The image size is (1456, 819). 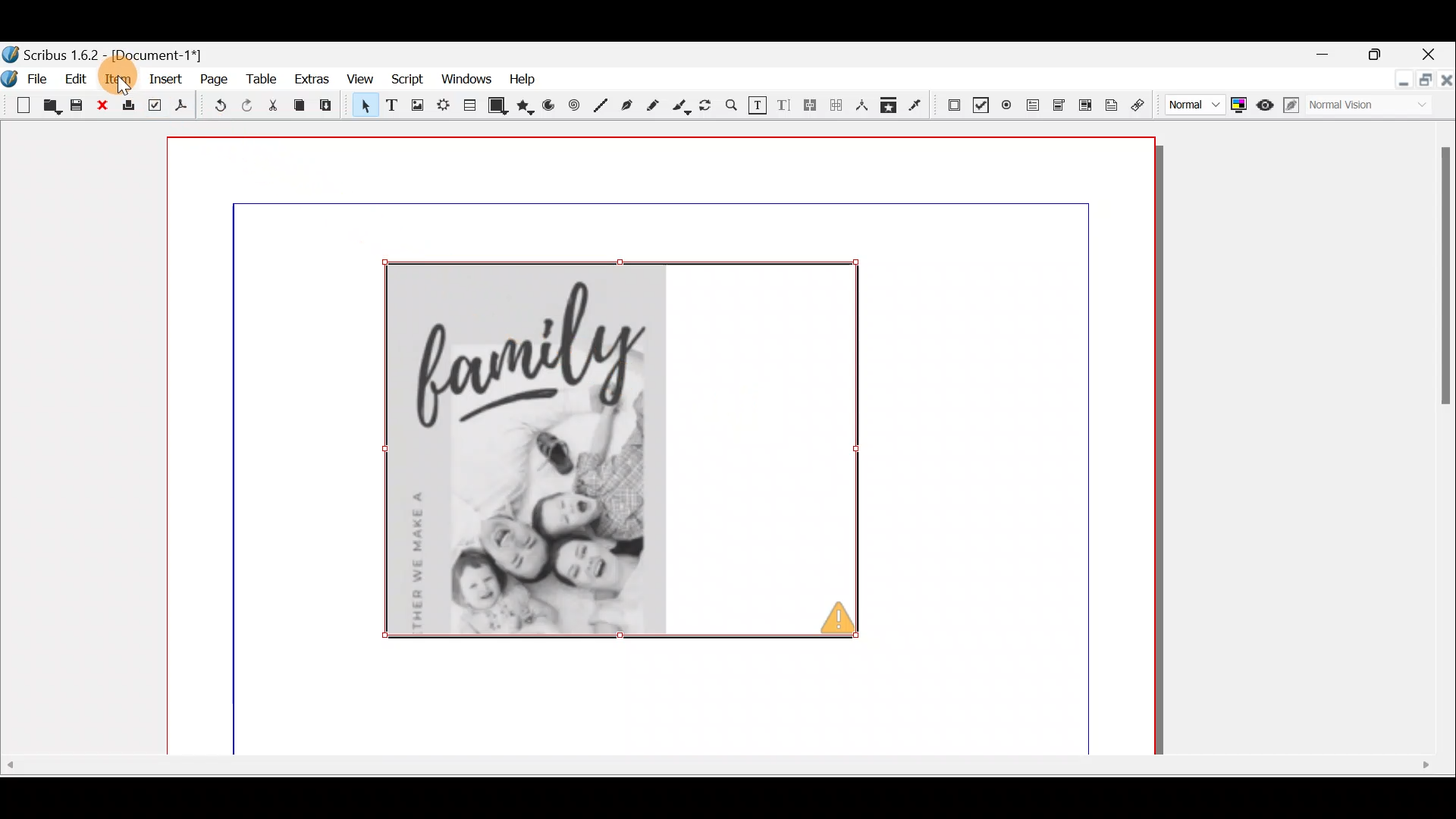 I want to click on Save as PDF, so click(x=187, y=107).